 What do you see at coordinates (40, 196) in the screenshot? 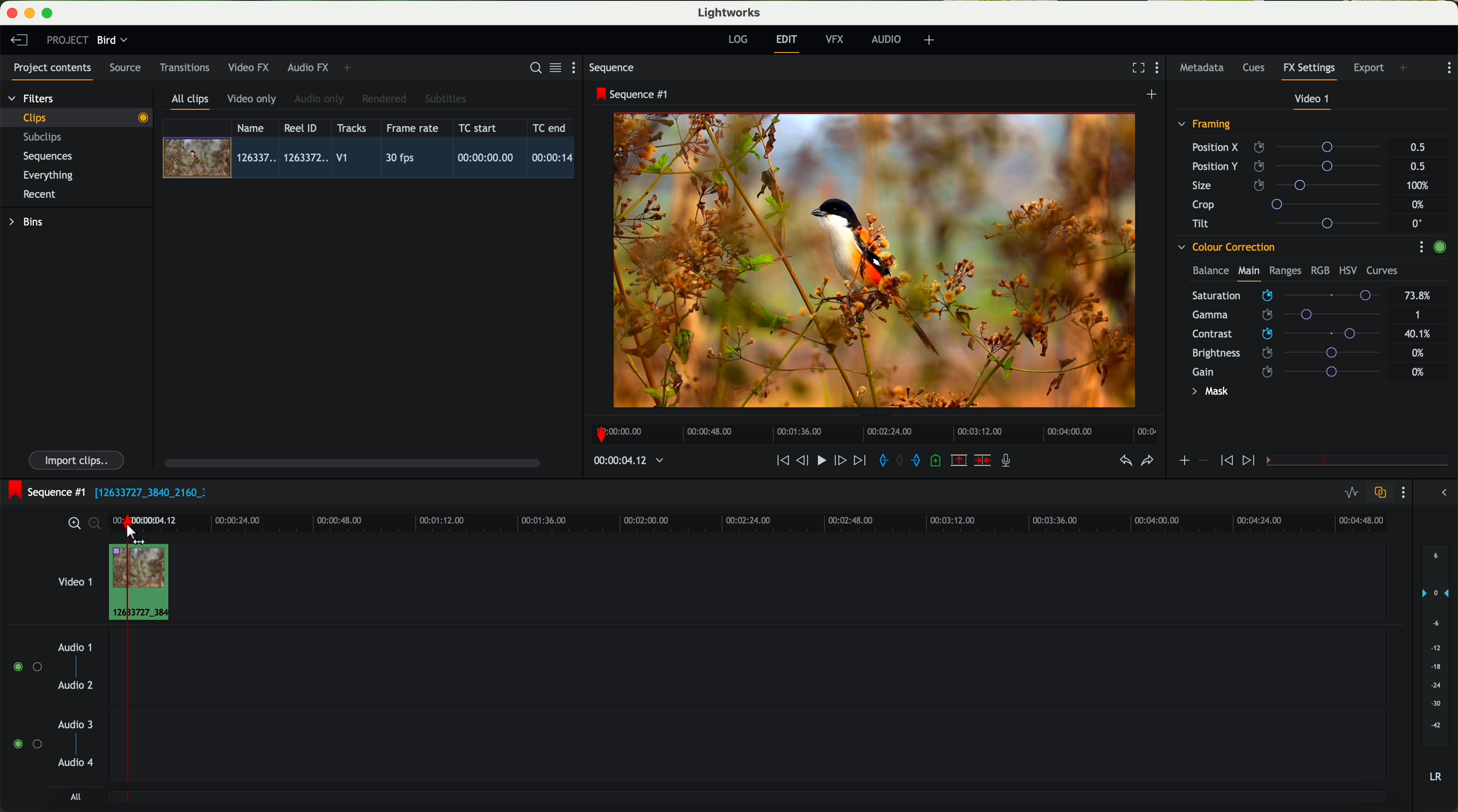
I see `recent` at bounding box center [40, 196].